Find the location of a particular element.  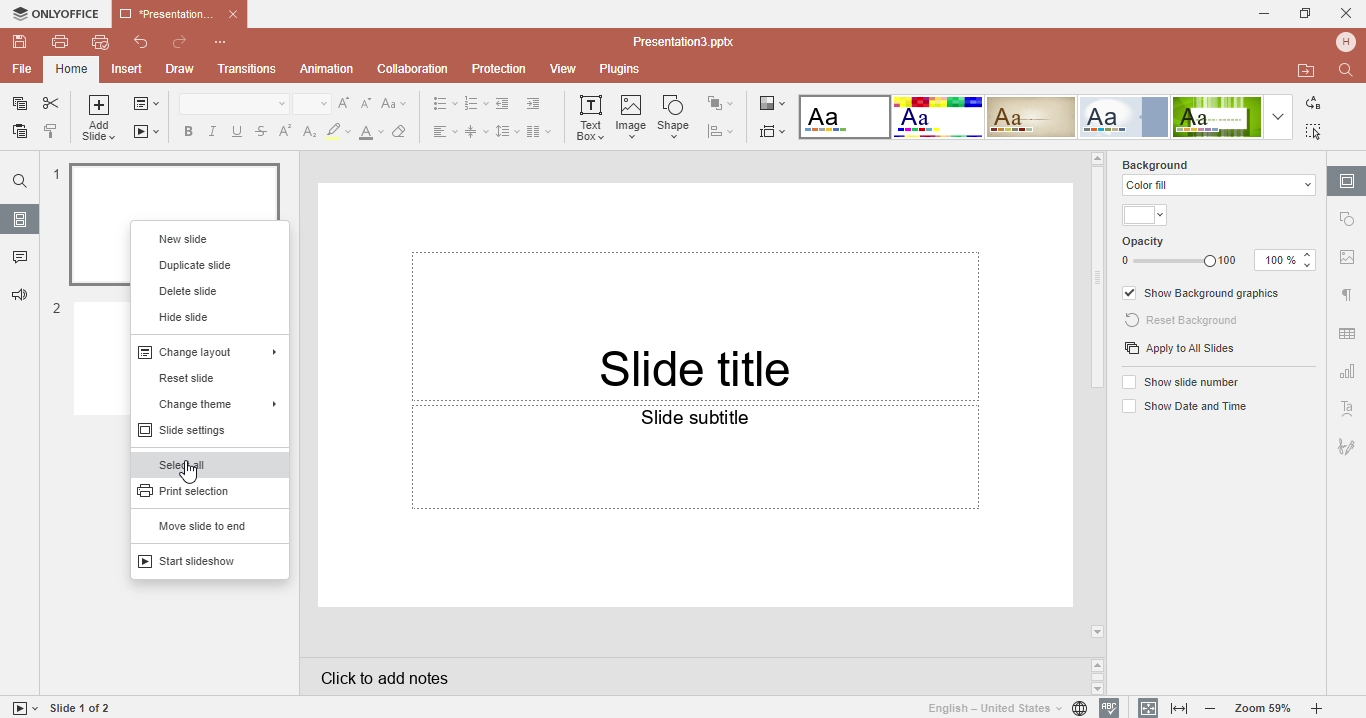

Line spacing is located at coordinates (508, 131).